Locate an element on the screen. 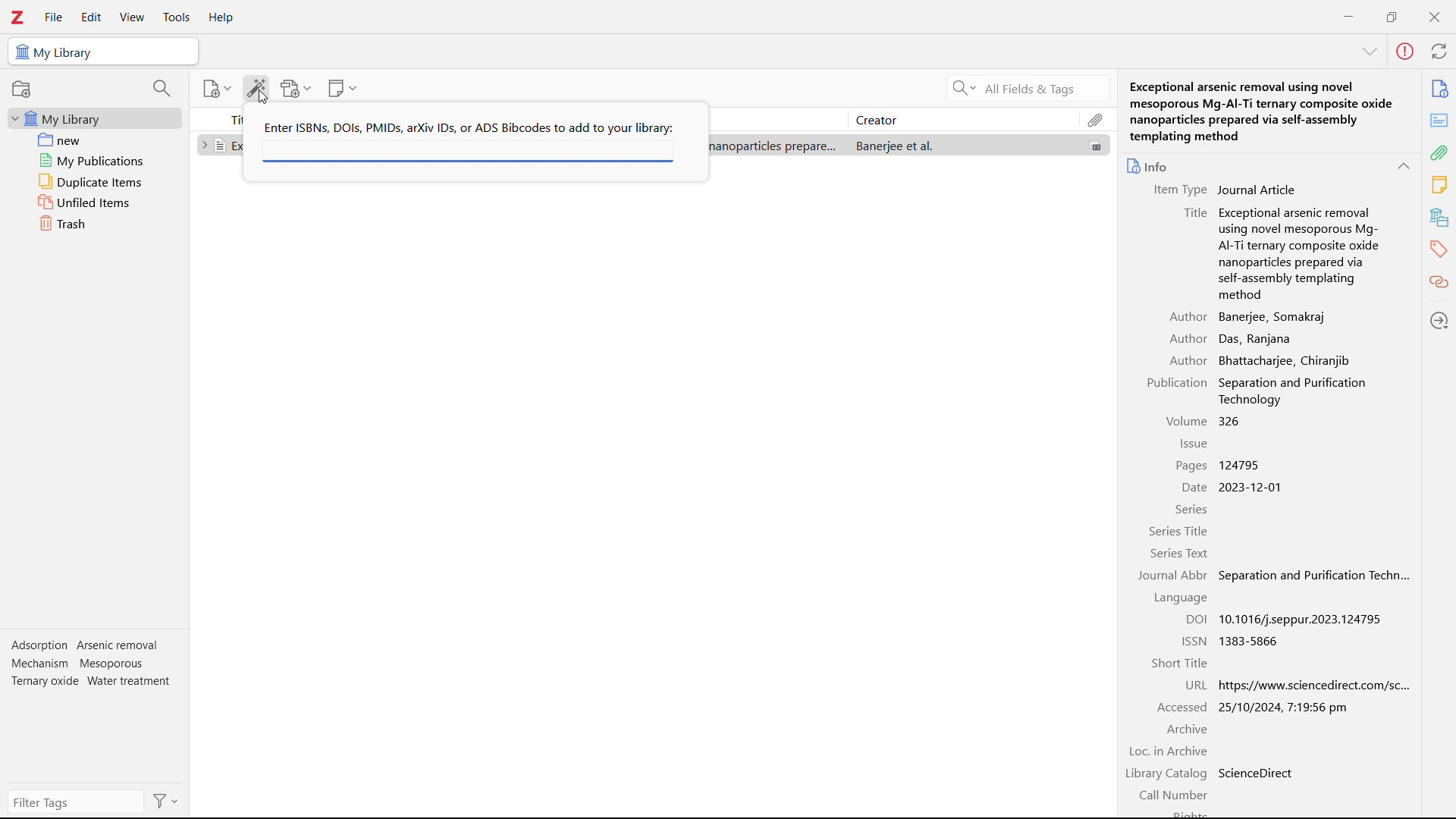 The height and width of the screenshot is (819, 1456). Author is located at coordinates (1187, 360).